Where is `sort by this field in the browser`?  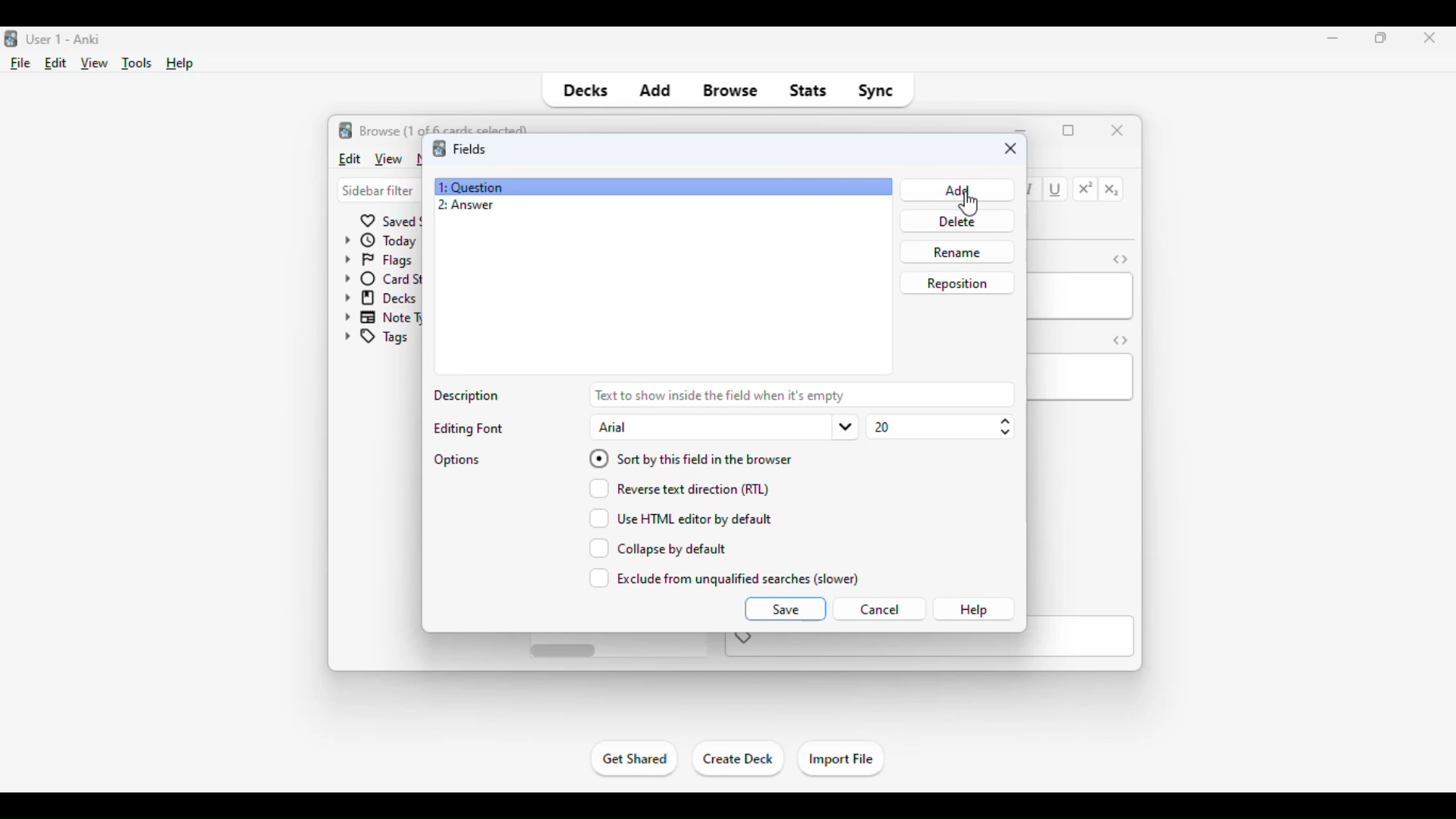 sort by this field in the browser is located at coordinates (690, 457).